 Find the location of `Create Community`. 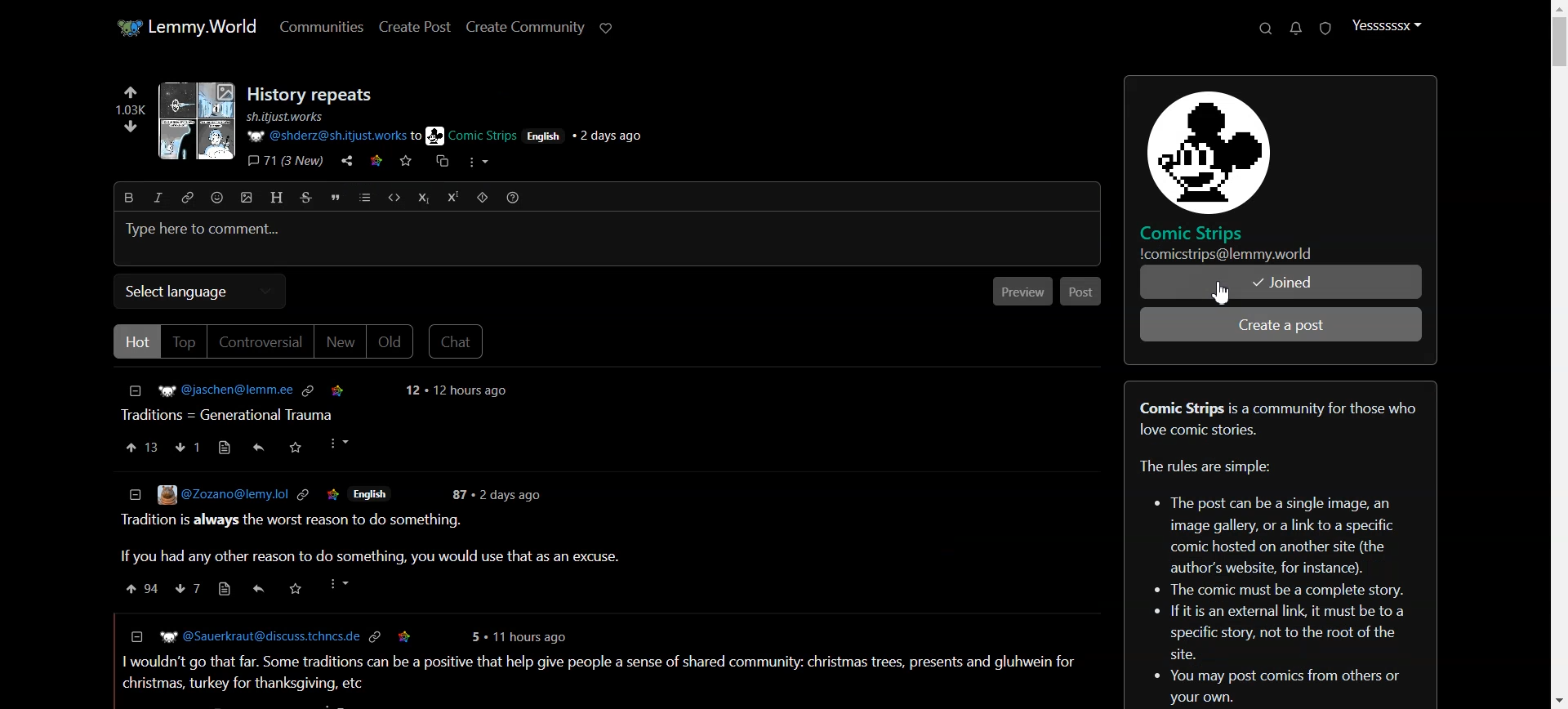

Create Community is located at coordinates (526, 28).